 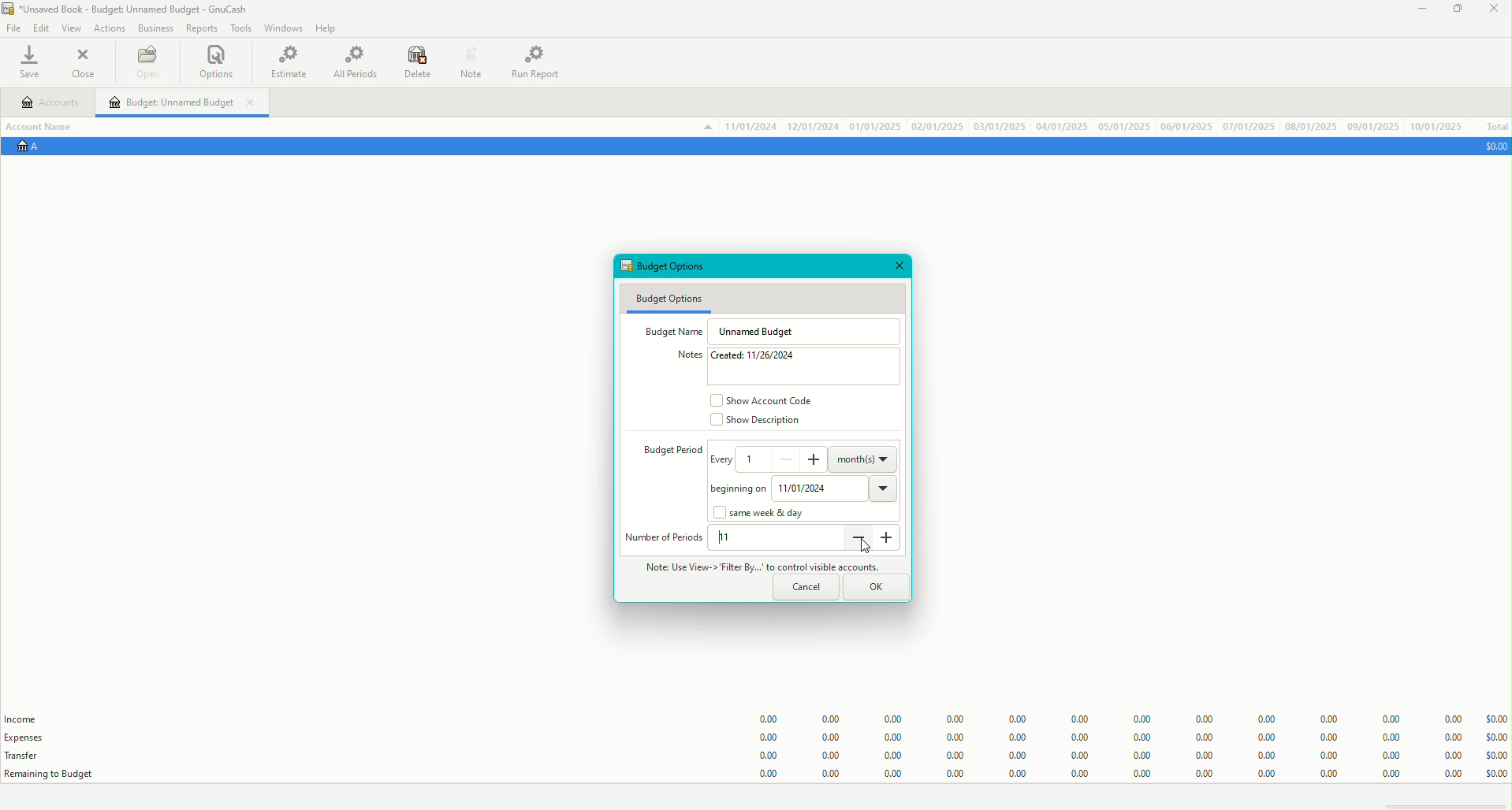 What do you see at coordinates (1456, 10) in the screenshot?
I see `Restore` at bounding box center [1456, 10].